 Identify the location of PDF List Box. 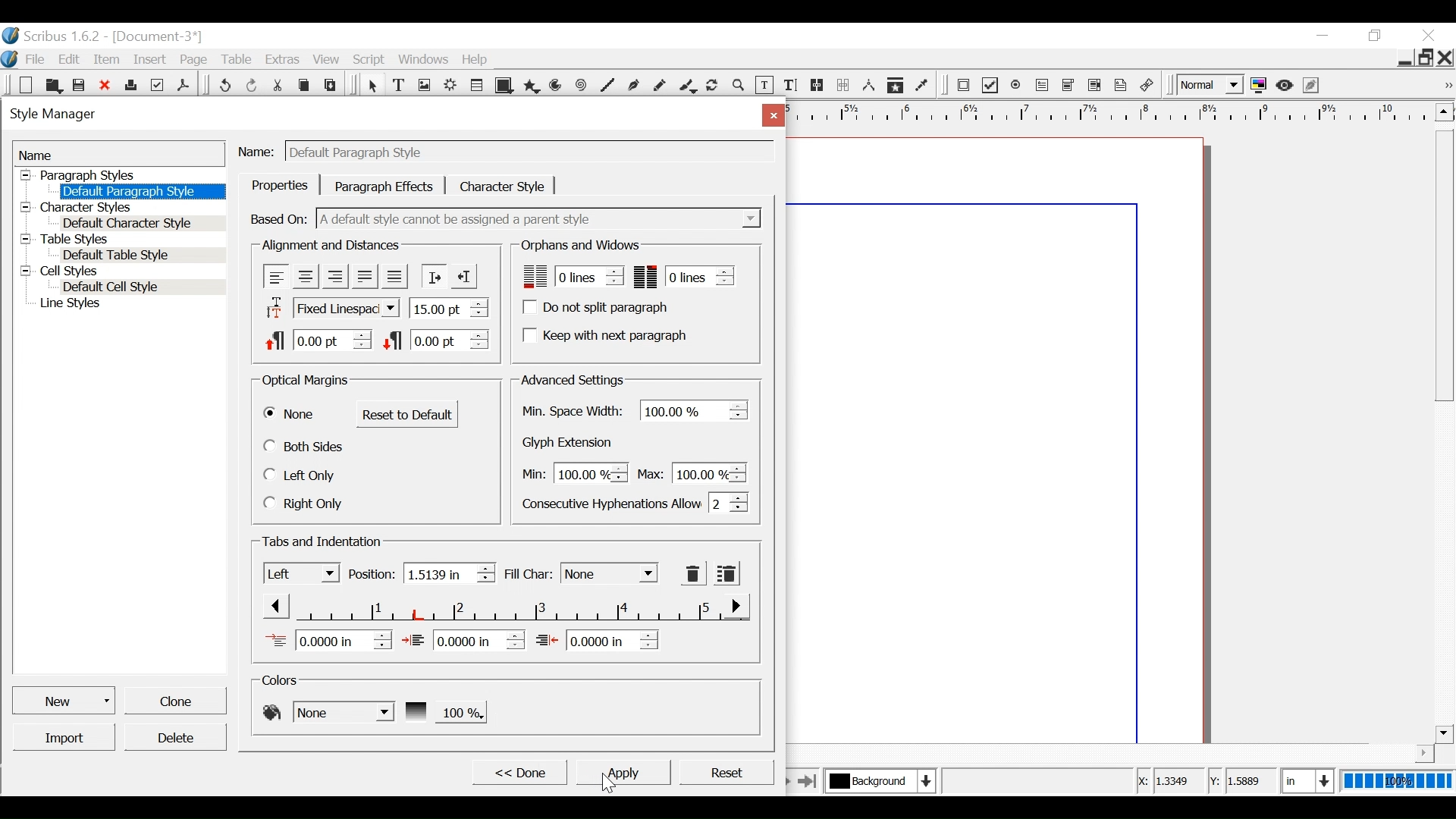
(1095, 85).